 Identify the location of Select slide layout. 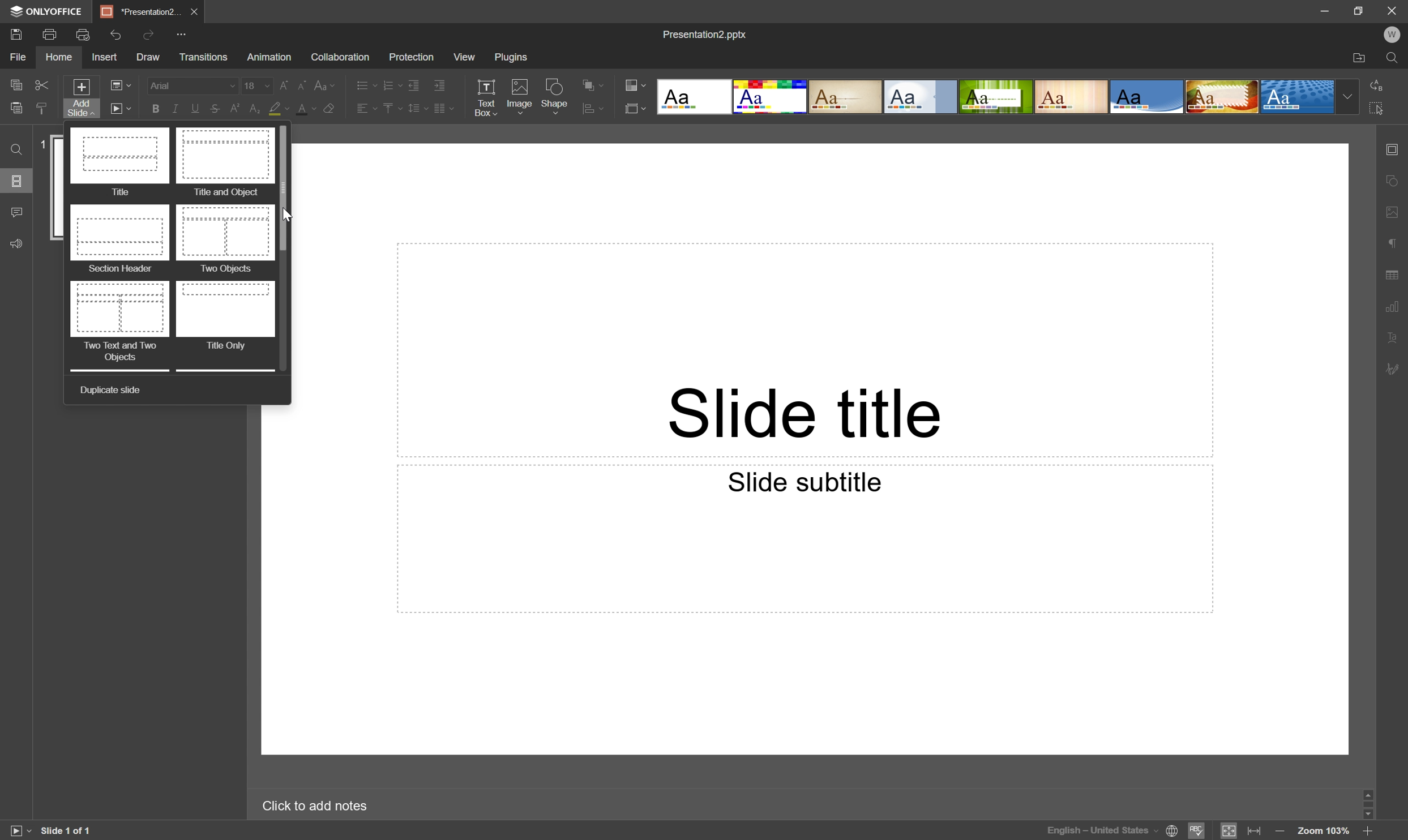
(636, 107).